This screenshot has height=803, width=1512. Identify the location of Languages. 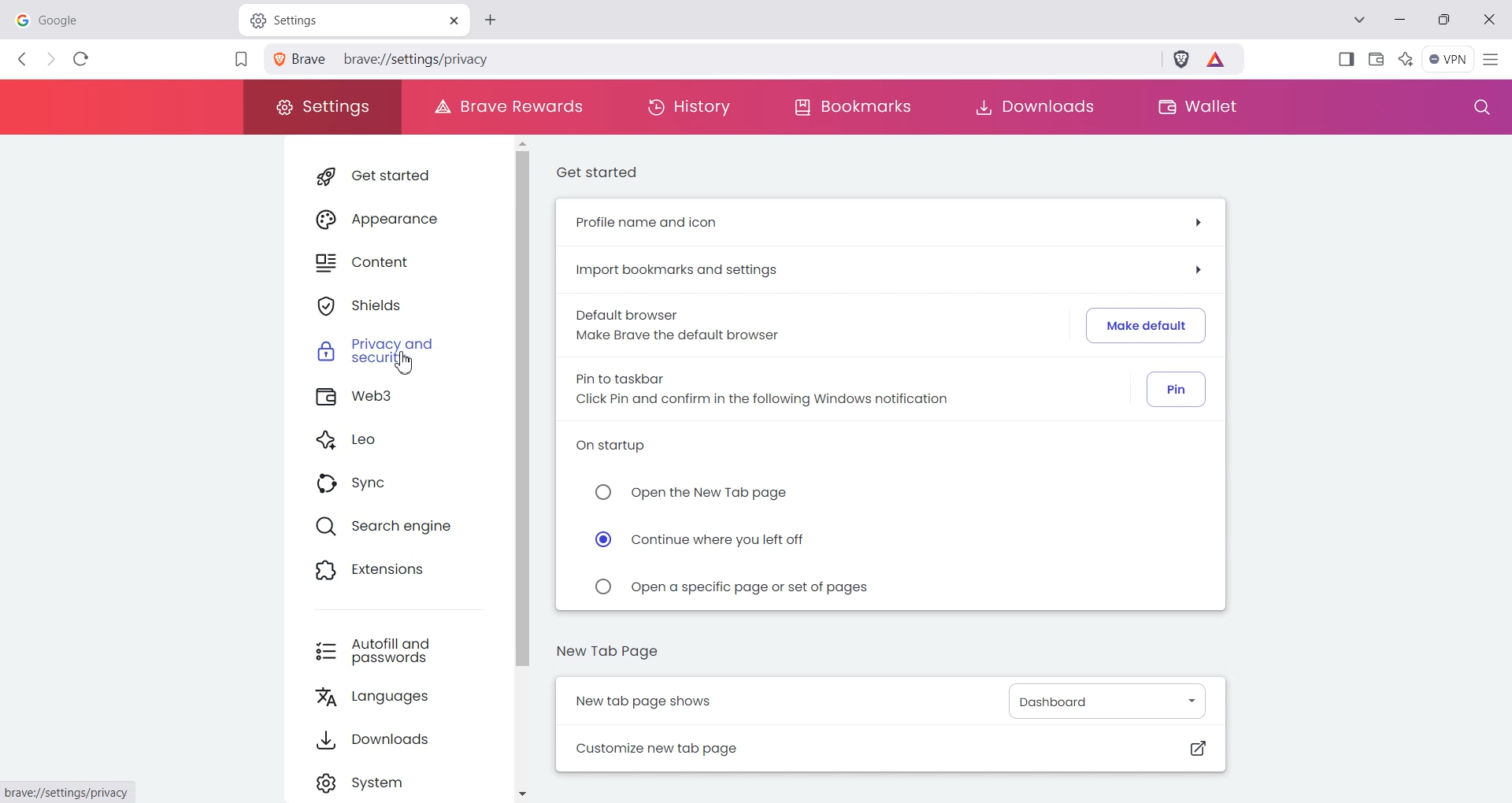
(396, 699).